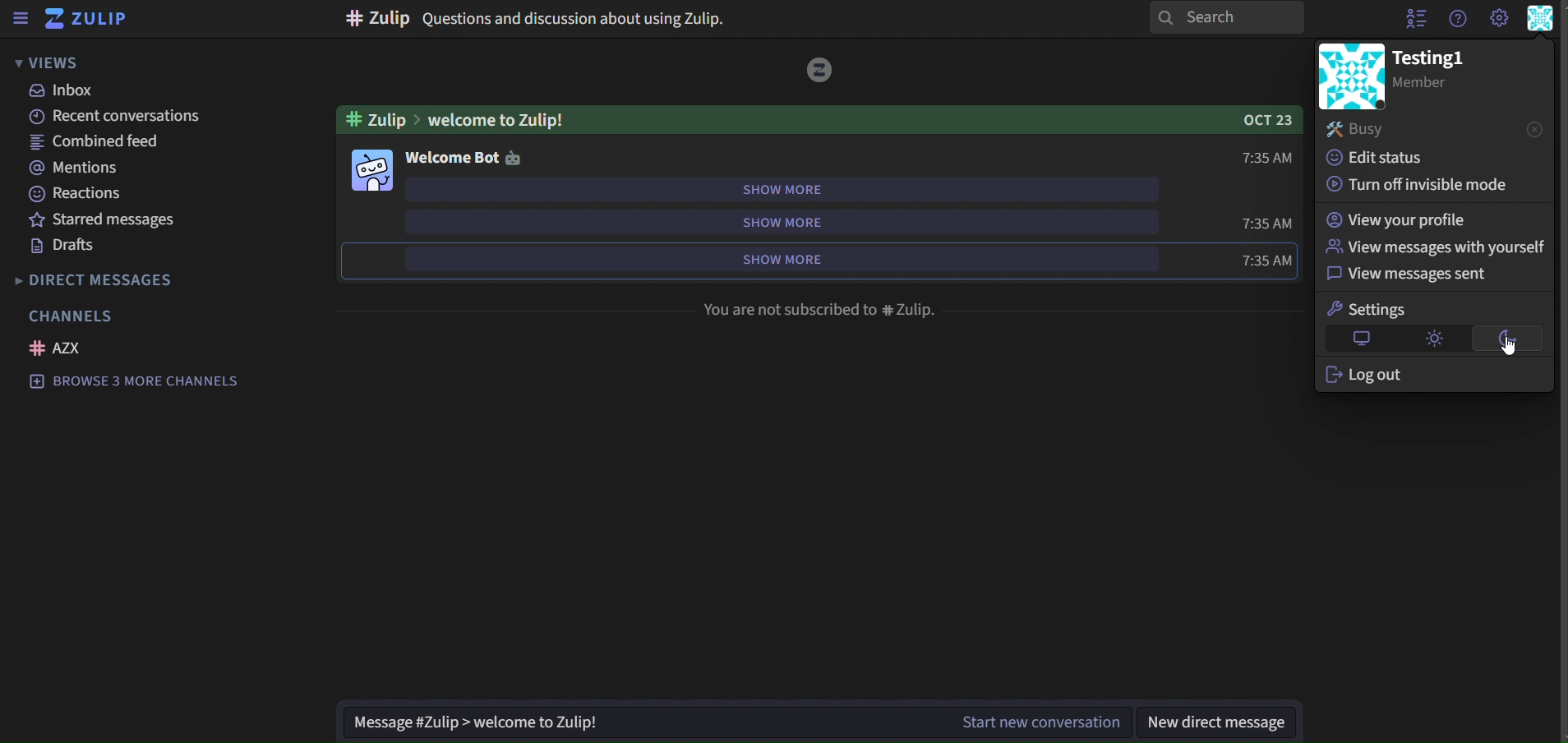 The height and width of the screenshot is (743, 1568). Describe the element at coordinates (78, 167) in the screenshot. I see `mentions` at that location.